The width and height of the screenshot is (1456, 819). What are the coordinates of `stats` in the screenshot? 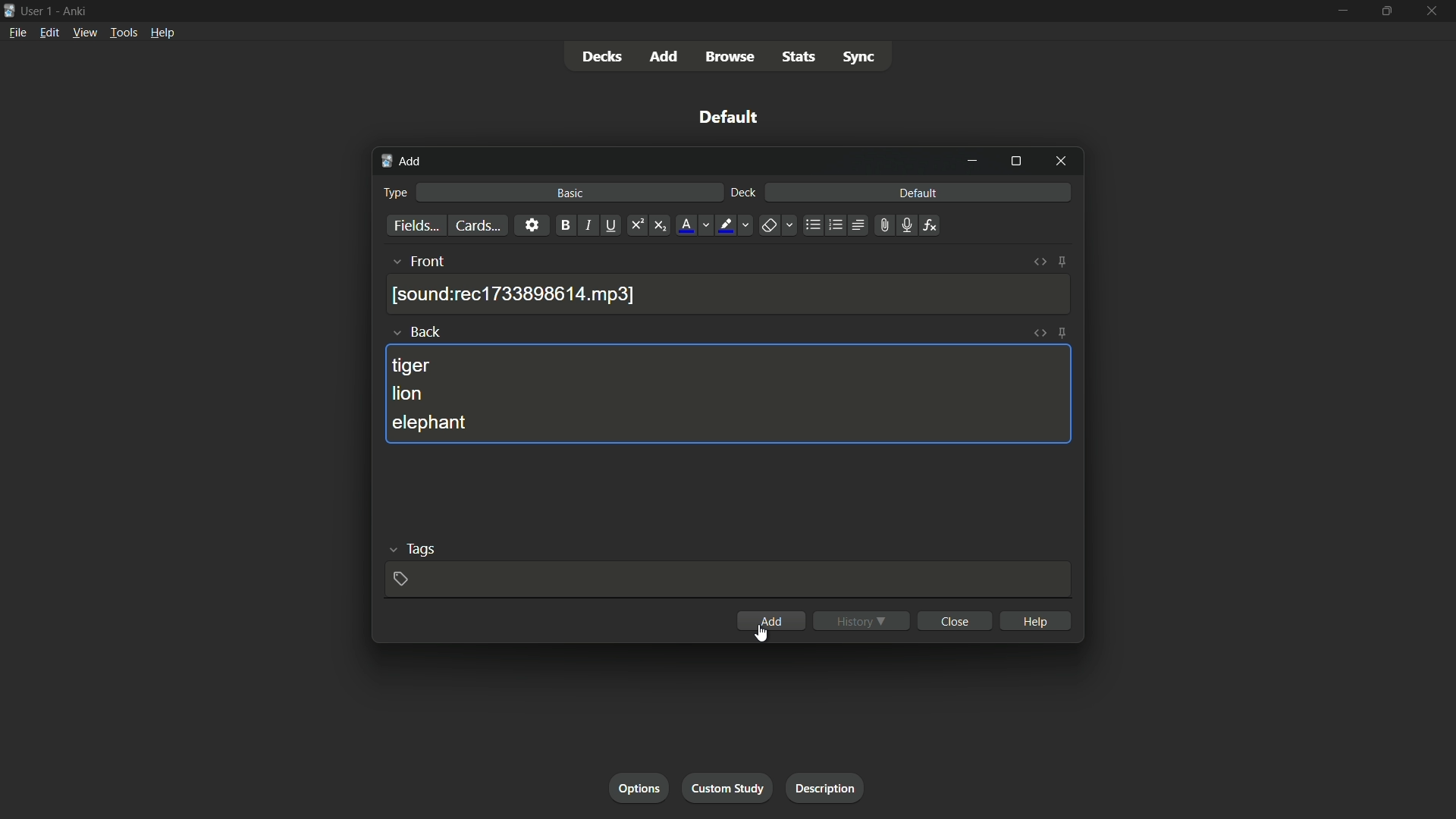 It's located at (802, 58).